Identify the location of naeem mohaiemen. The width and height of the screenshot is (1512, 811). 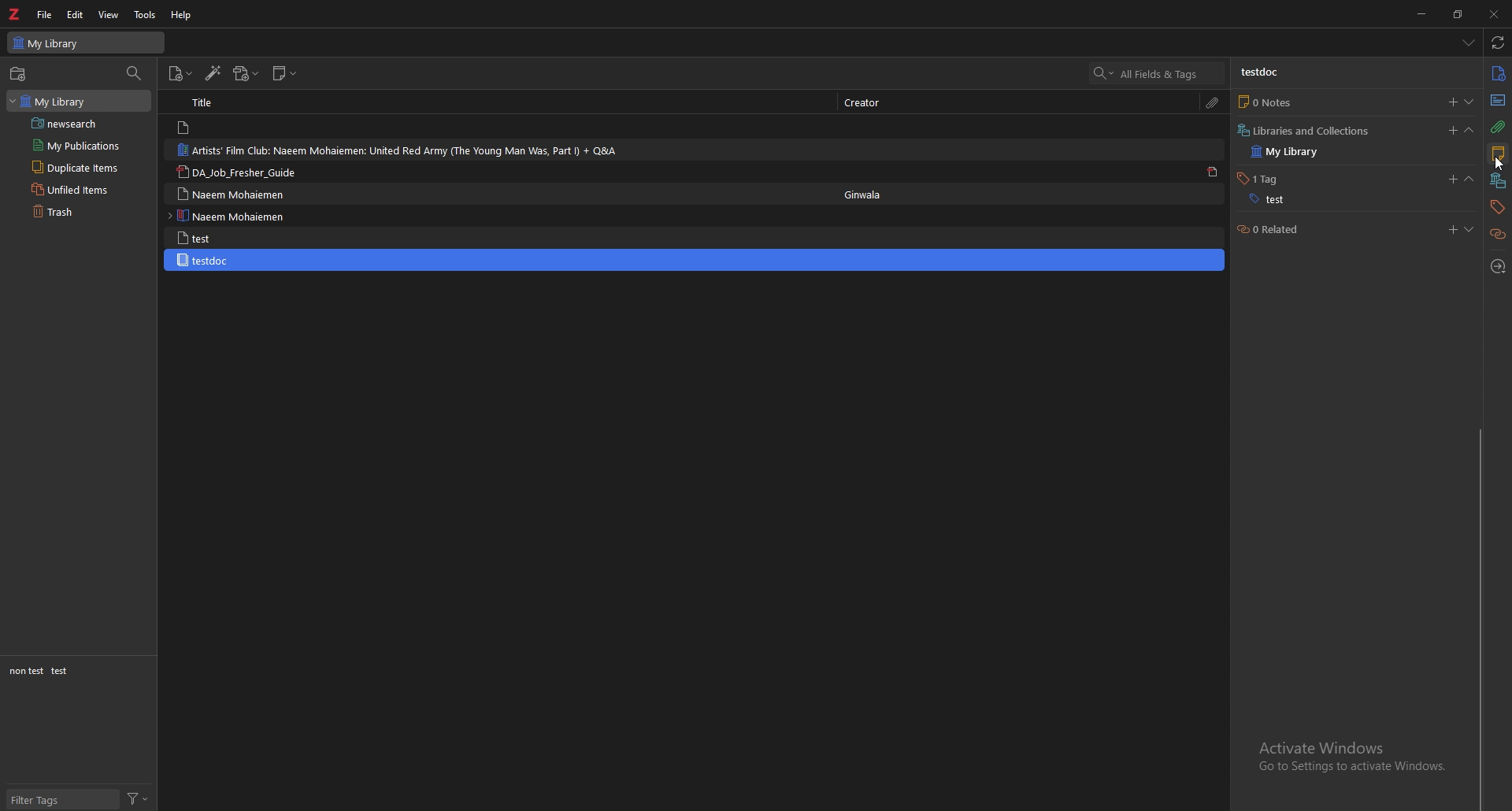
(235, 194).